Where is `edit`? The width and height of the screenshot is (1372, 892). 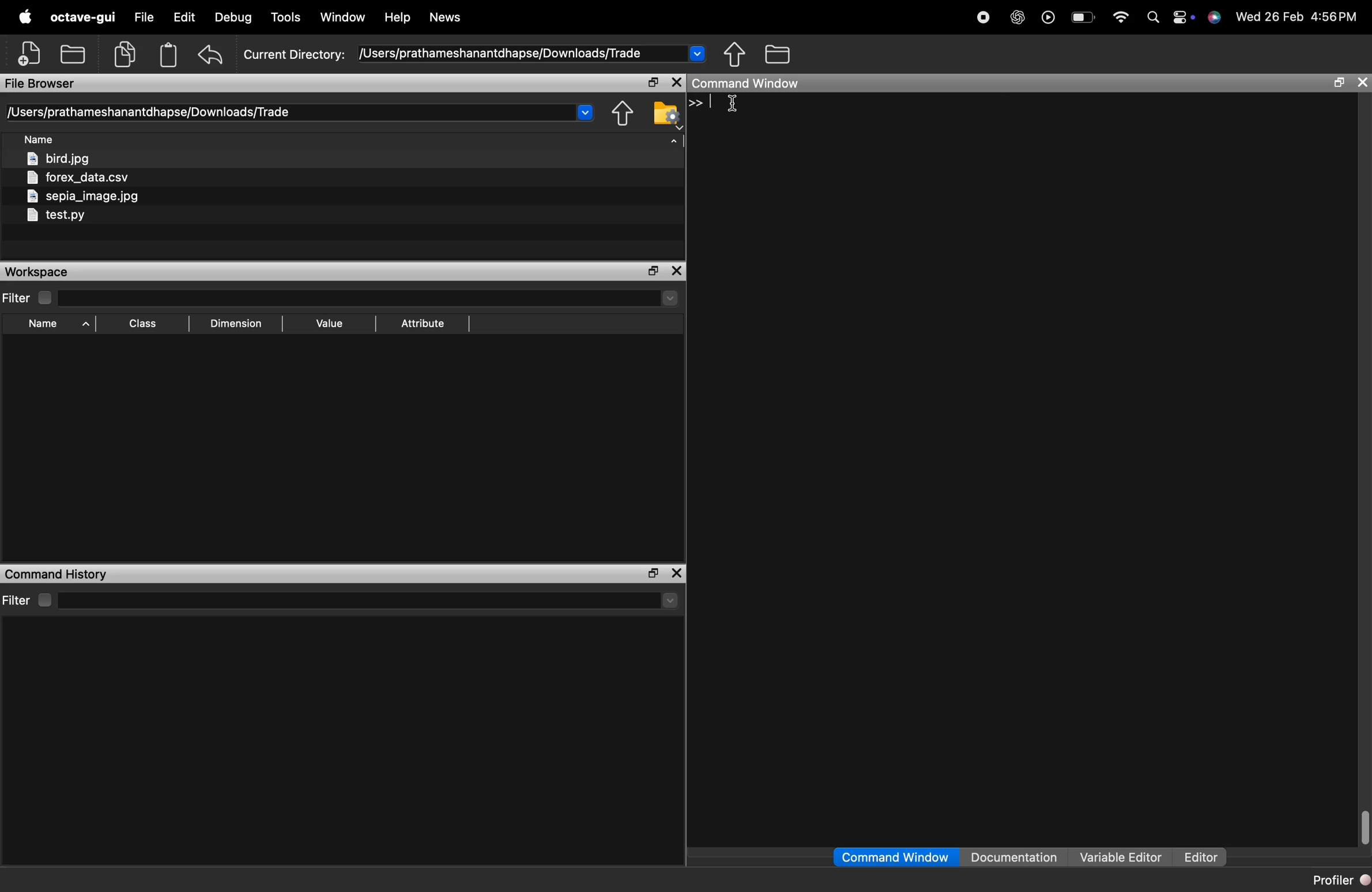
edit is located at coordinates (186, 17).